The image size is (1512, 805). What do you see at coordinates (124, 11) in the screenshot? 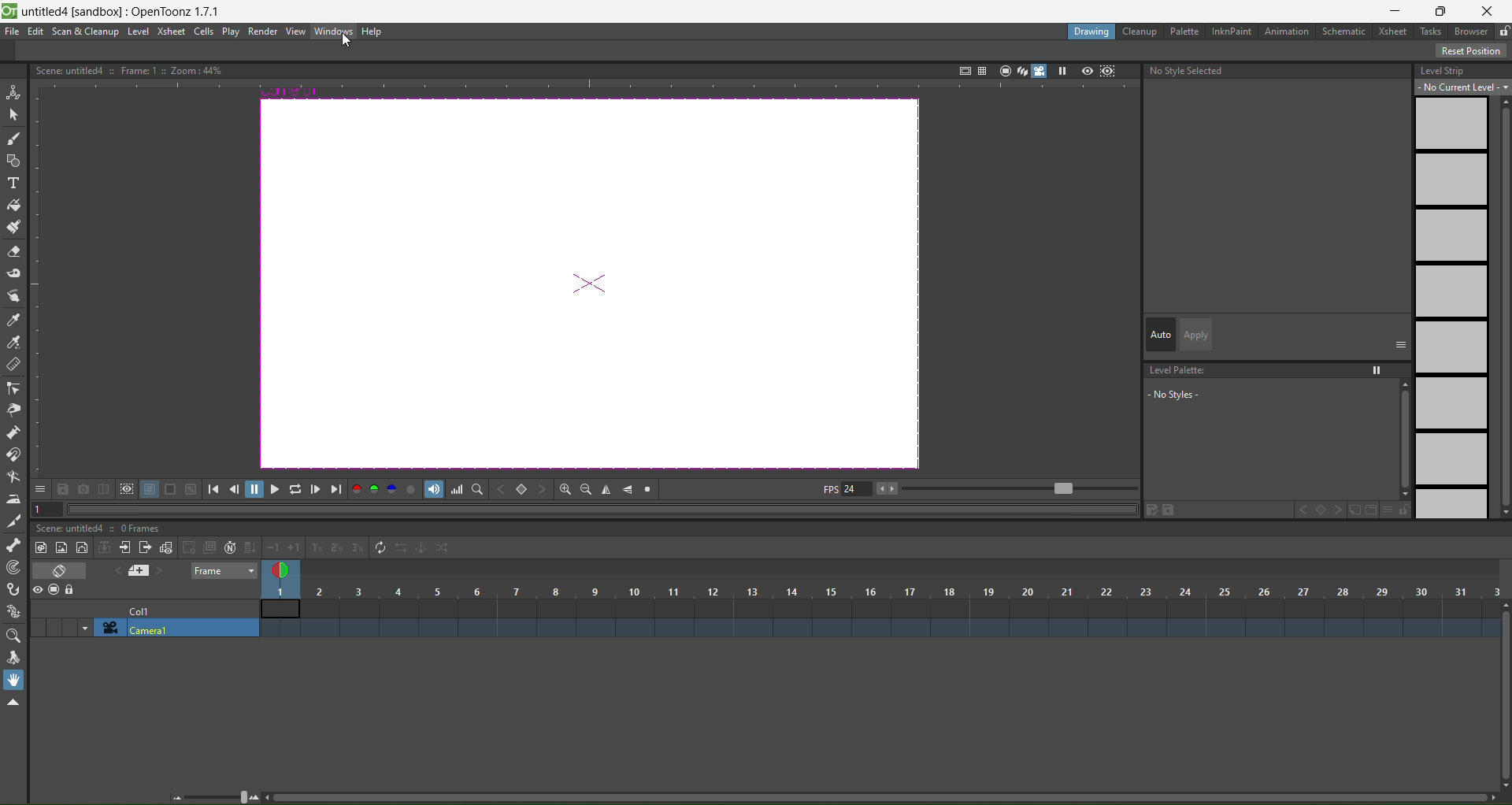
I see `untitledd [sandbox] :OpenToonz 1.7.1` at bounding box center [124, 11].